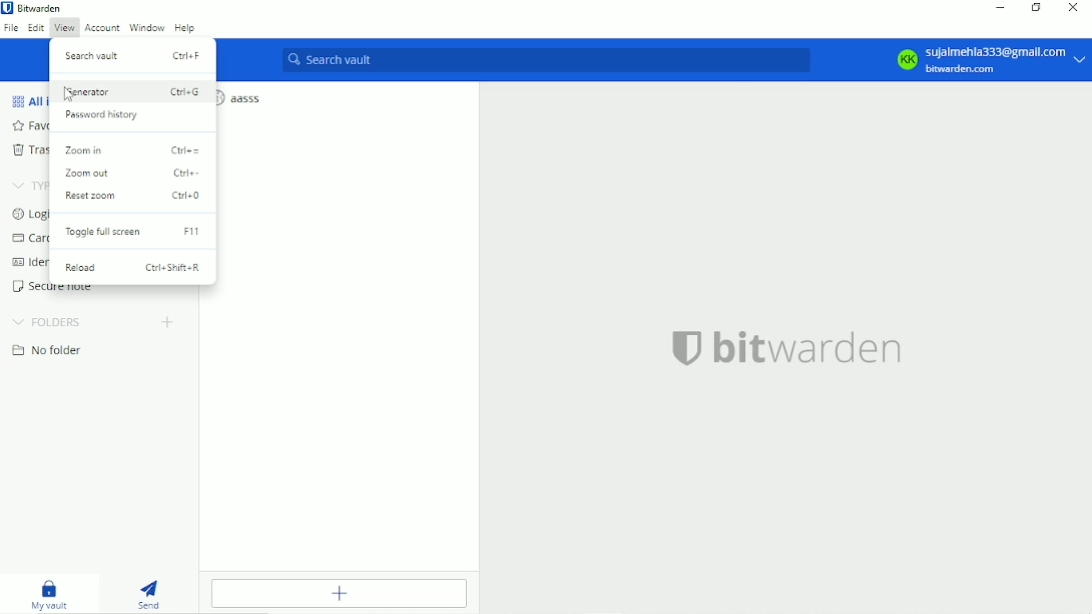 This screenshot has height=614, width=1092. What do you see at coordinates (786, 349) in the screenshot?
I see `bitwarden` at bounding box center [786, 349].